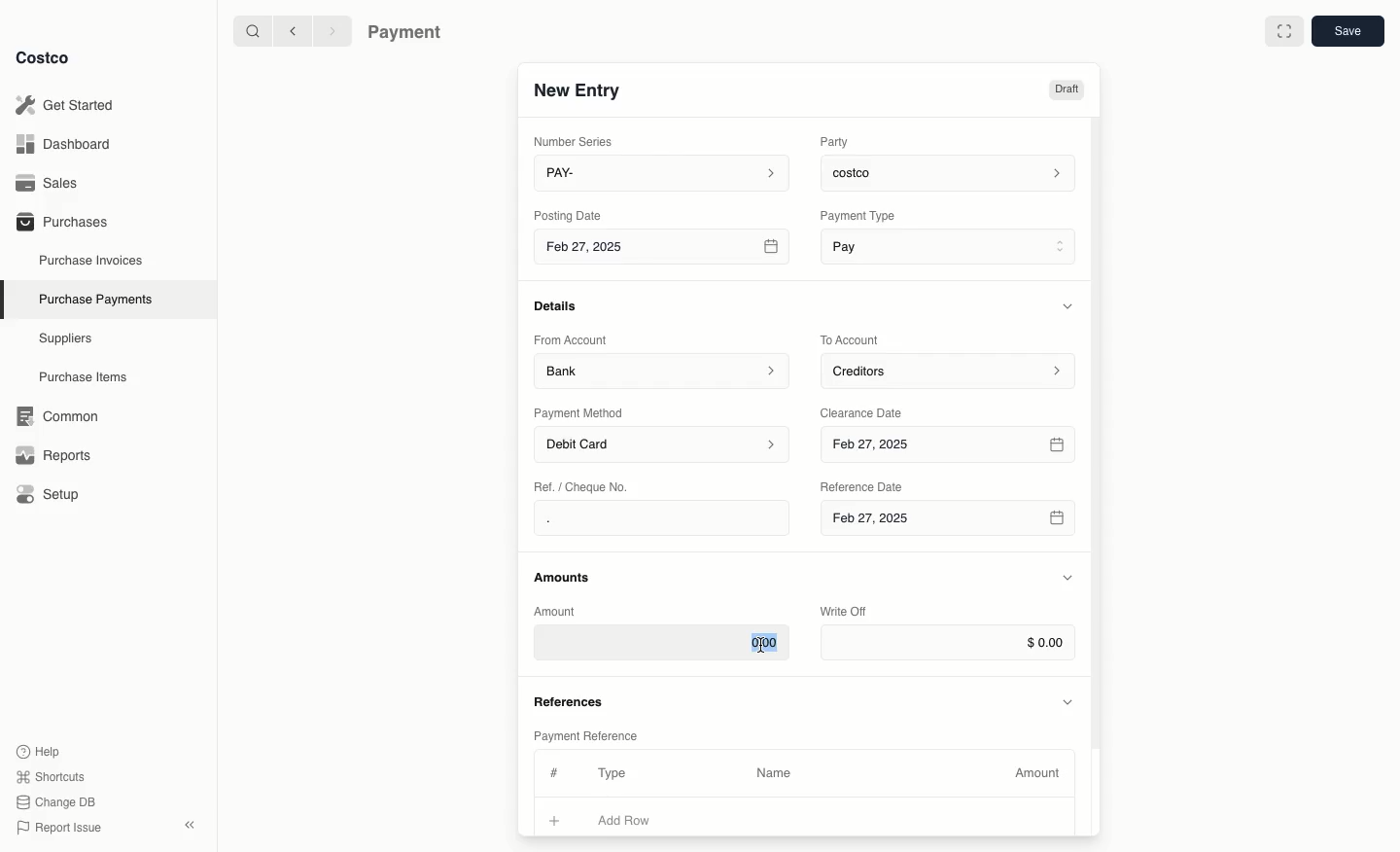  I want to click on Help, so click(38, 750).